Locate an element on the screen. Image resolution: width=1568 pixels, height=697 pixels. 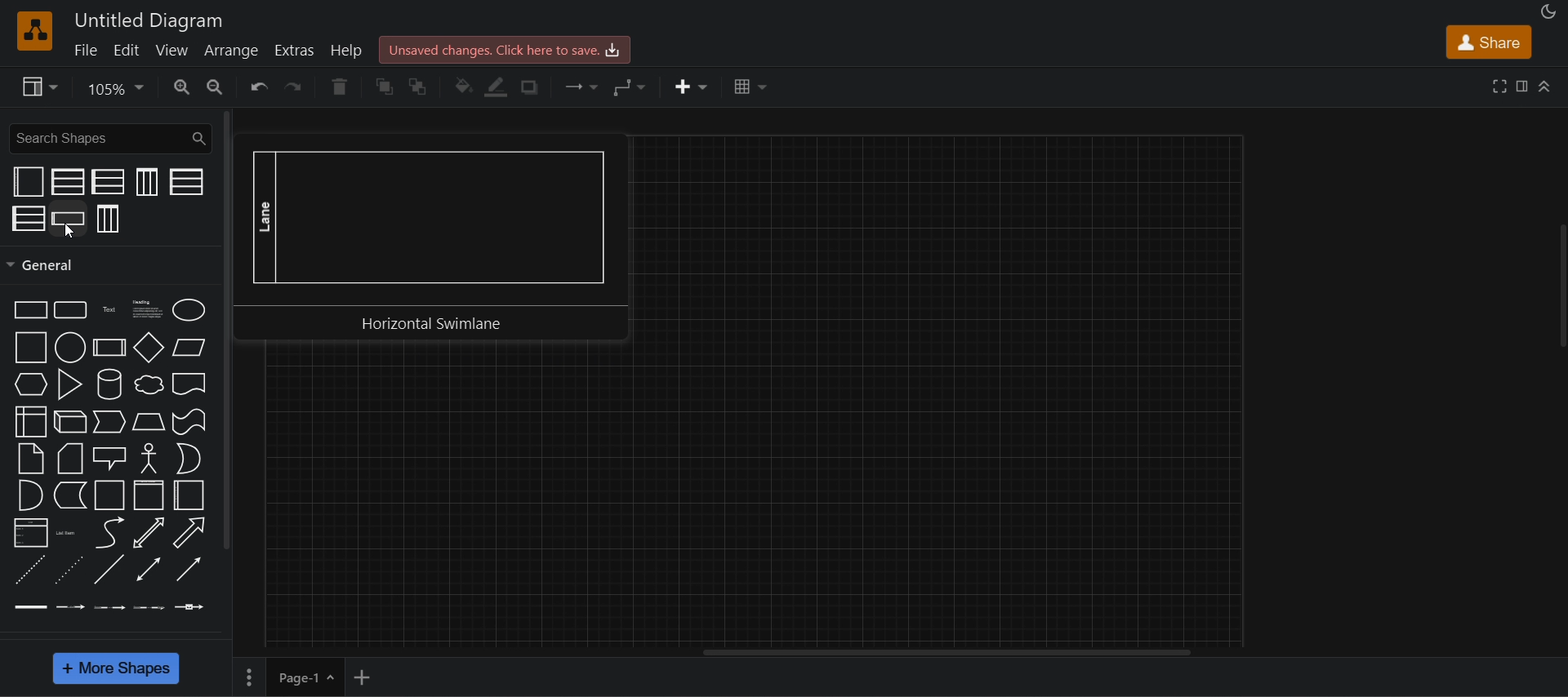
directional connector  is located at coordinates (189, 570).